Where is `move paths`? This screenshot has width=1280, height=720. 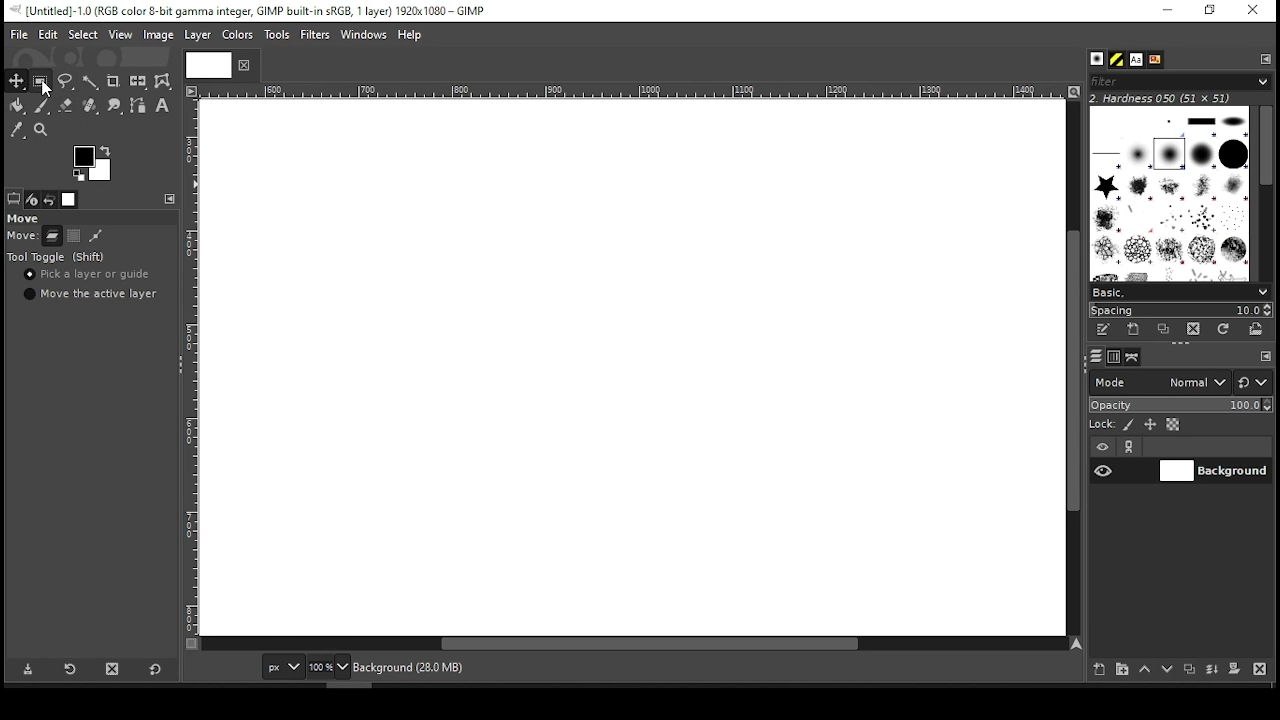
move paths is located at coordinates (94, 236).